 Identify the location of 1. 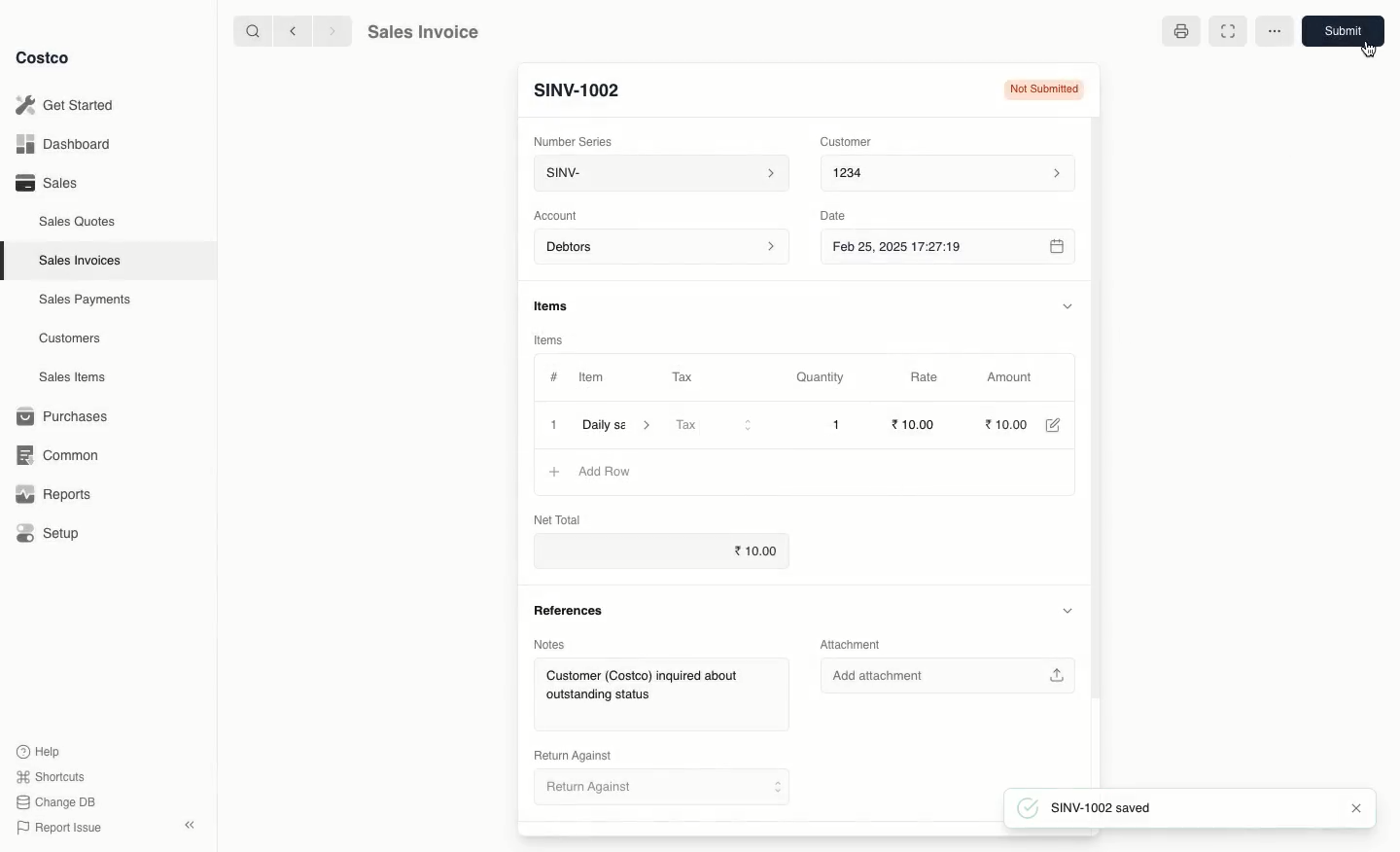
(838, 425).